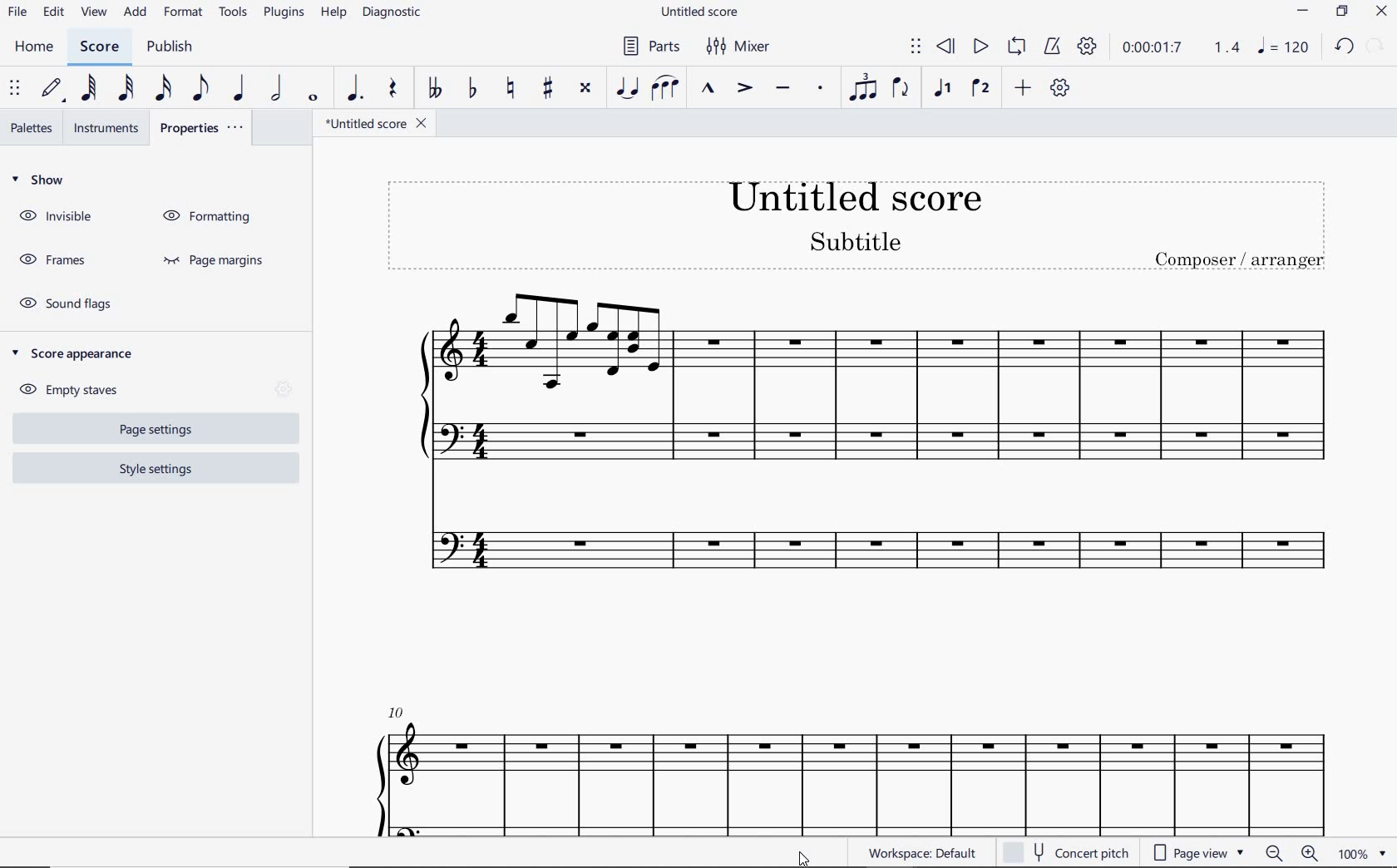 The height and width of the screenshot is (868, 1397). I want to click on ADD, so click(137, 12).